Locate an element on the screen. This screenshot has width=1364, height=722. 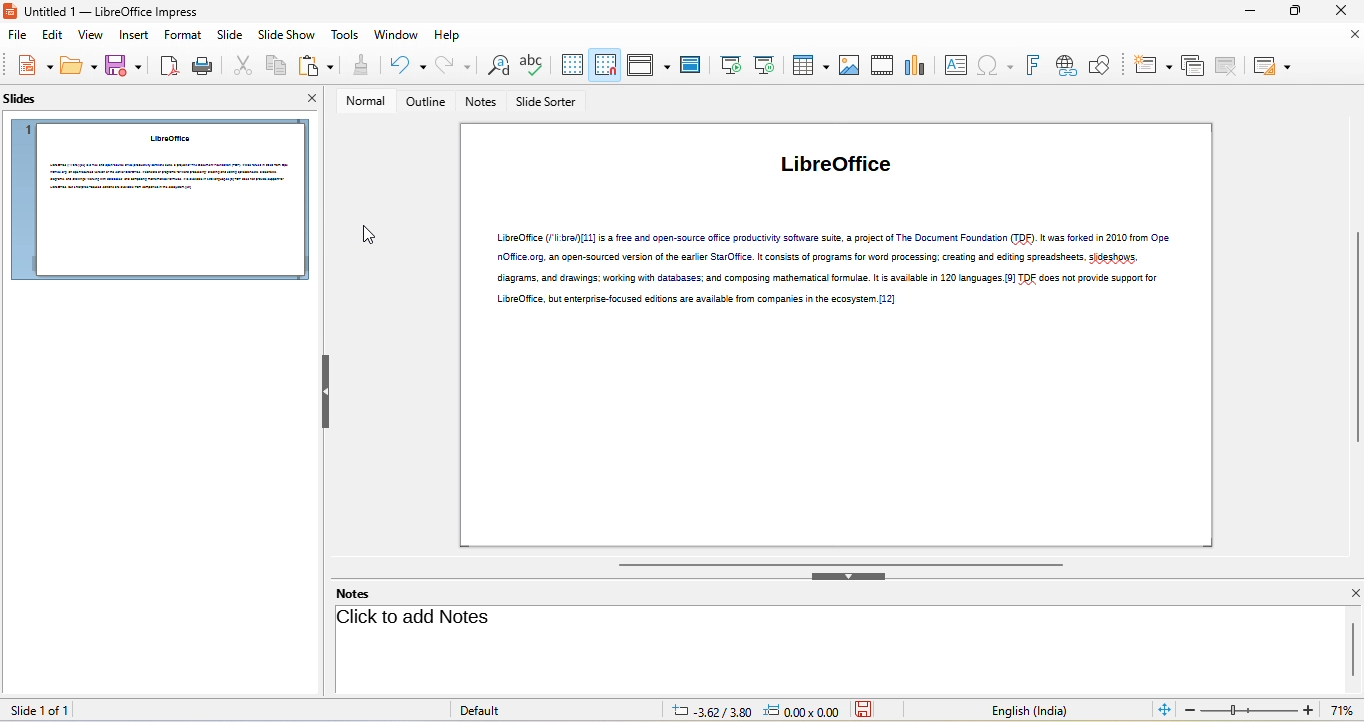
click to add notes is located at coordinates (413, 619).